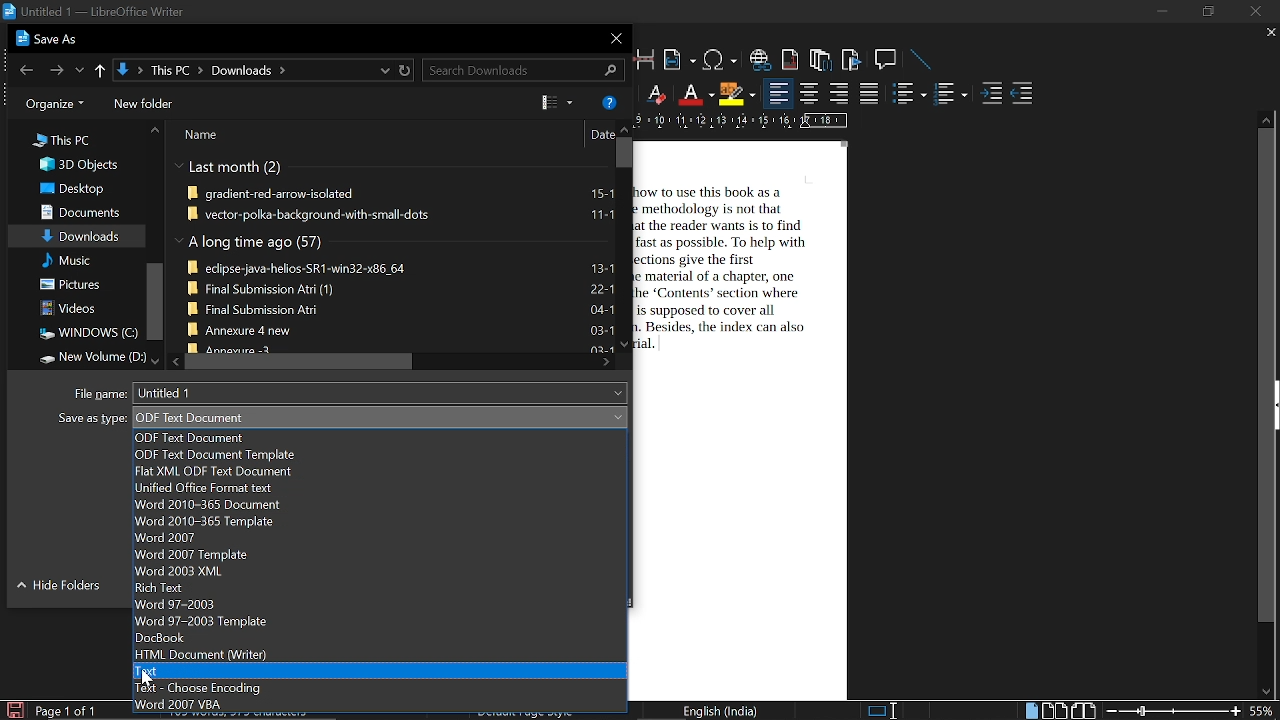 Image resolution: width=1280 pixels, height=720 pixels. Describe the element at coordinates (373, 704) in the screenshot. I see `word 2007 VIBA` at that location.